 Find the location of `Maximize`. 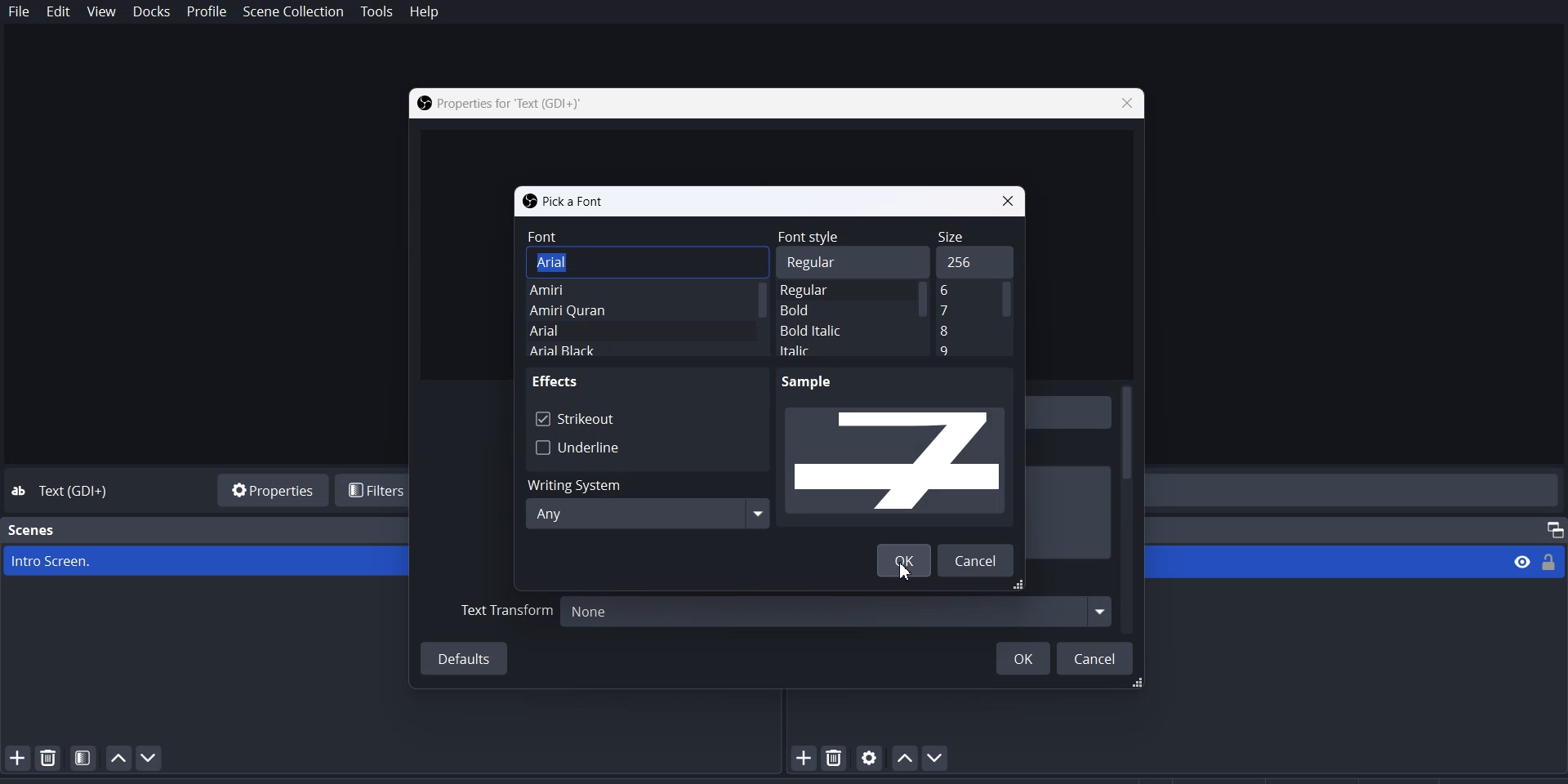

Maximize is located at coordinates (1548, 527).